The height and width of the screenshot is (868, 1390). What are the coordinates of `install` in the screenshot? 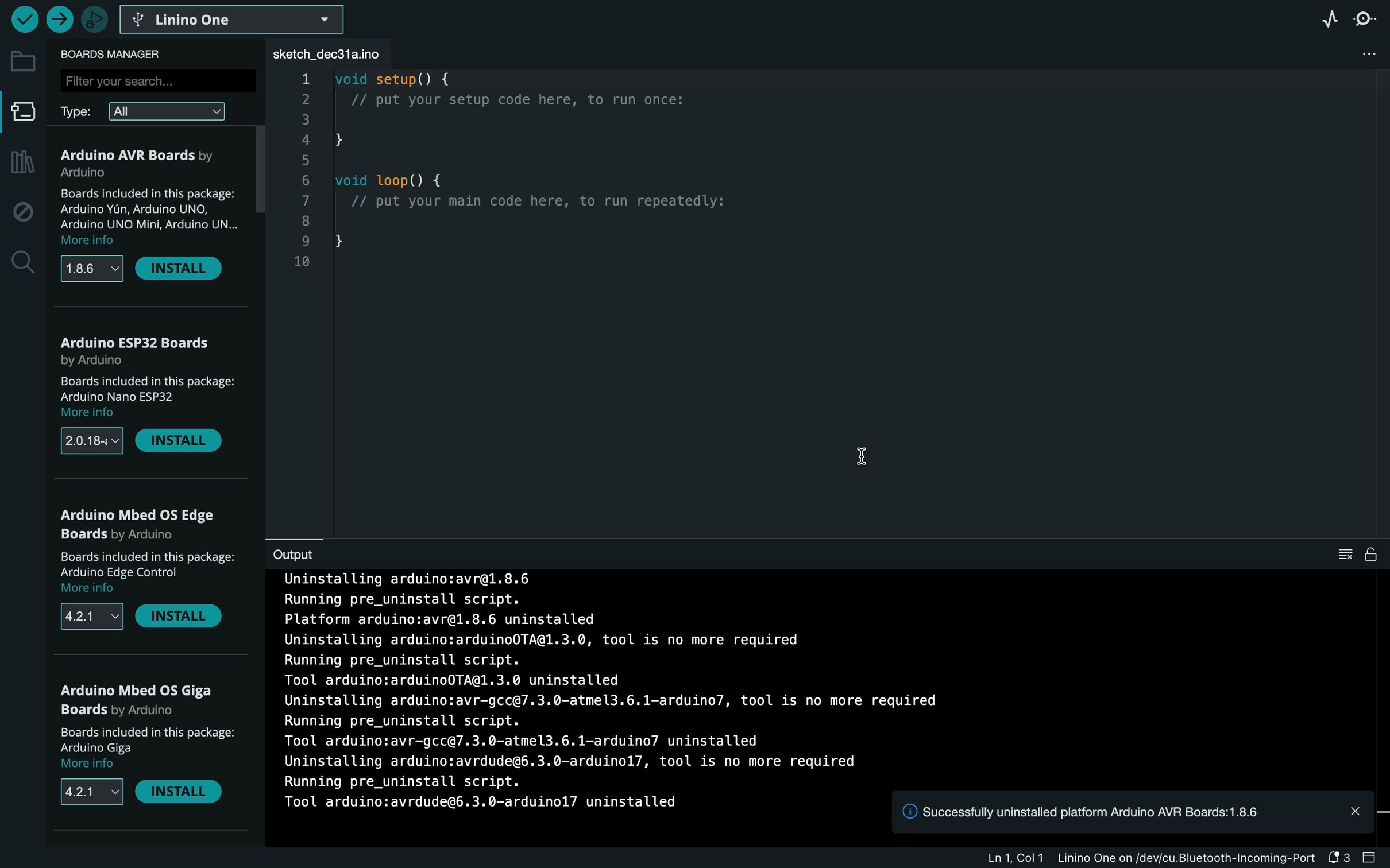 It's located at (186, 622).